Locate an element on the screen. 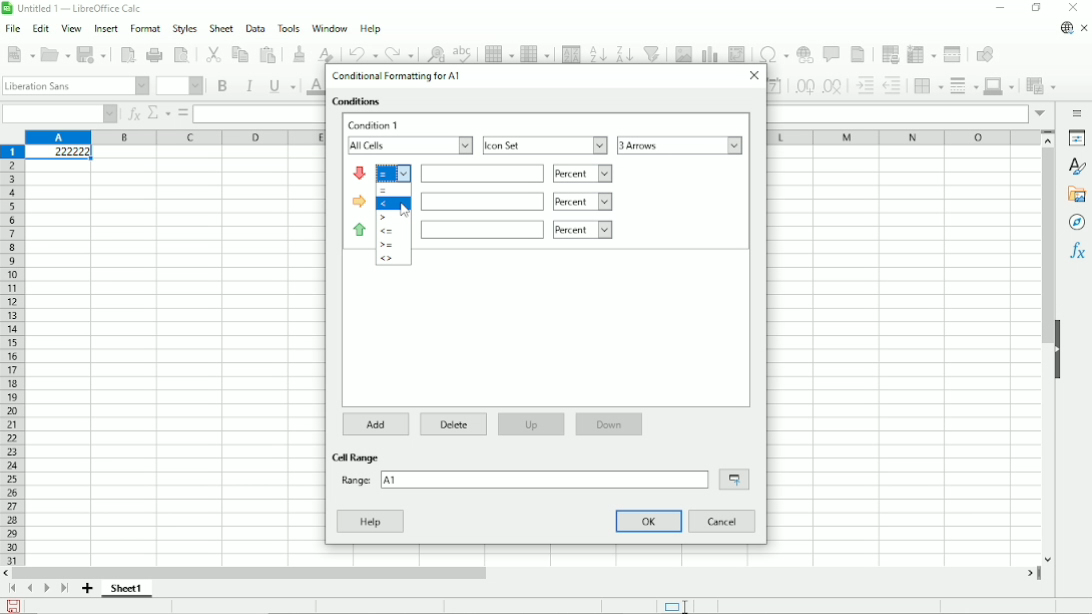 This screenshot has height=614, width=1092. Conditional is located at coordinates (1039, 86).